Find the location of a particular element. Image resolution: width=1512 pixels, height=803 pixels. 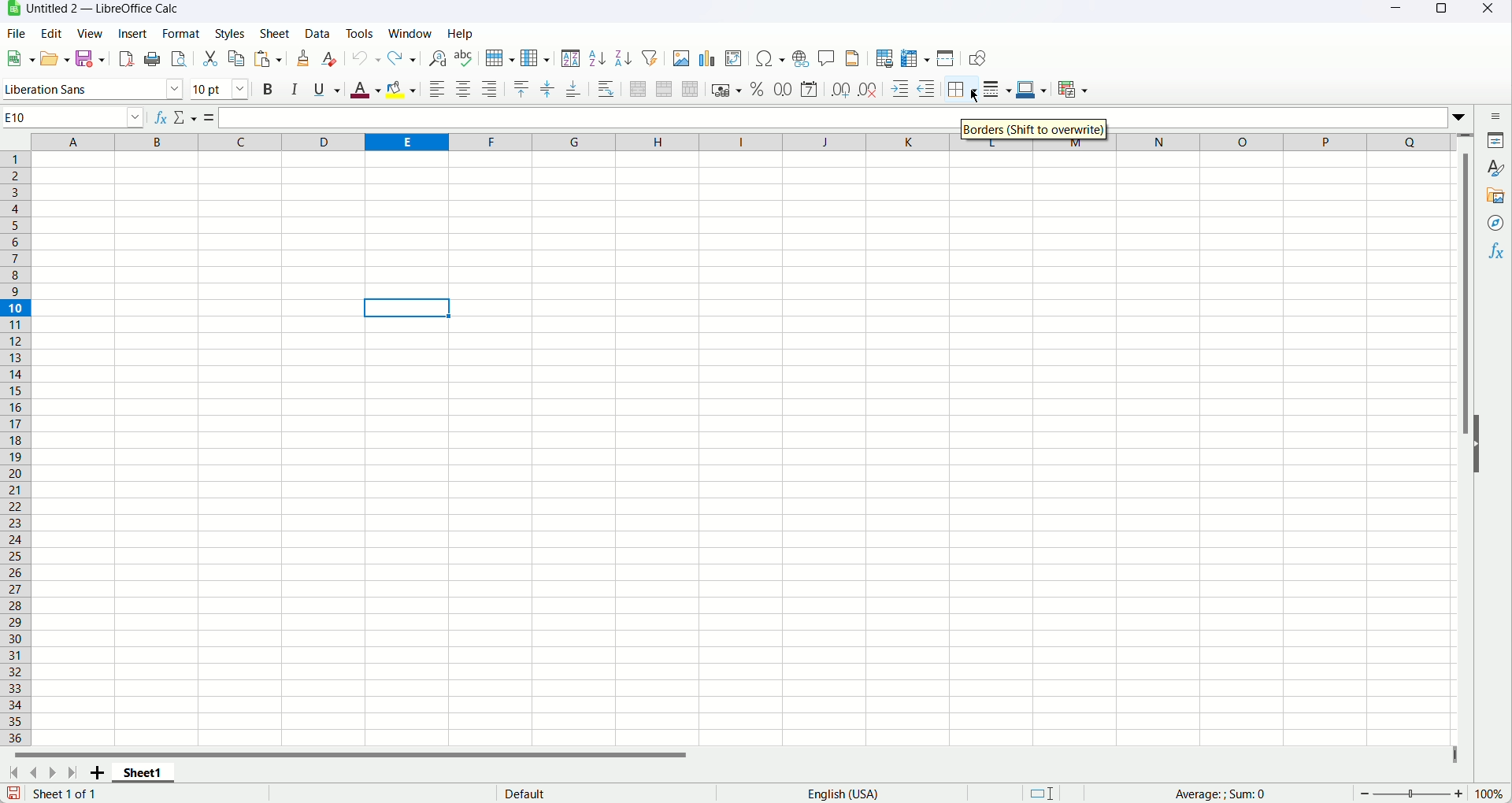

Minimize is located at coordinates (1395, 12).